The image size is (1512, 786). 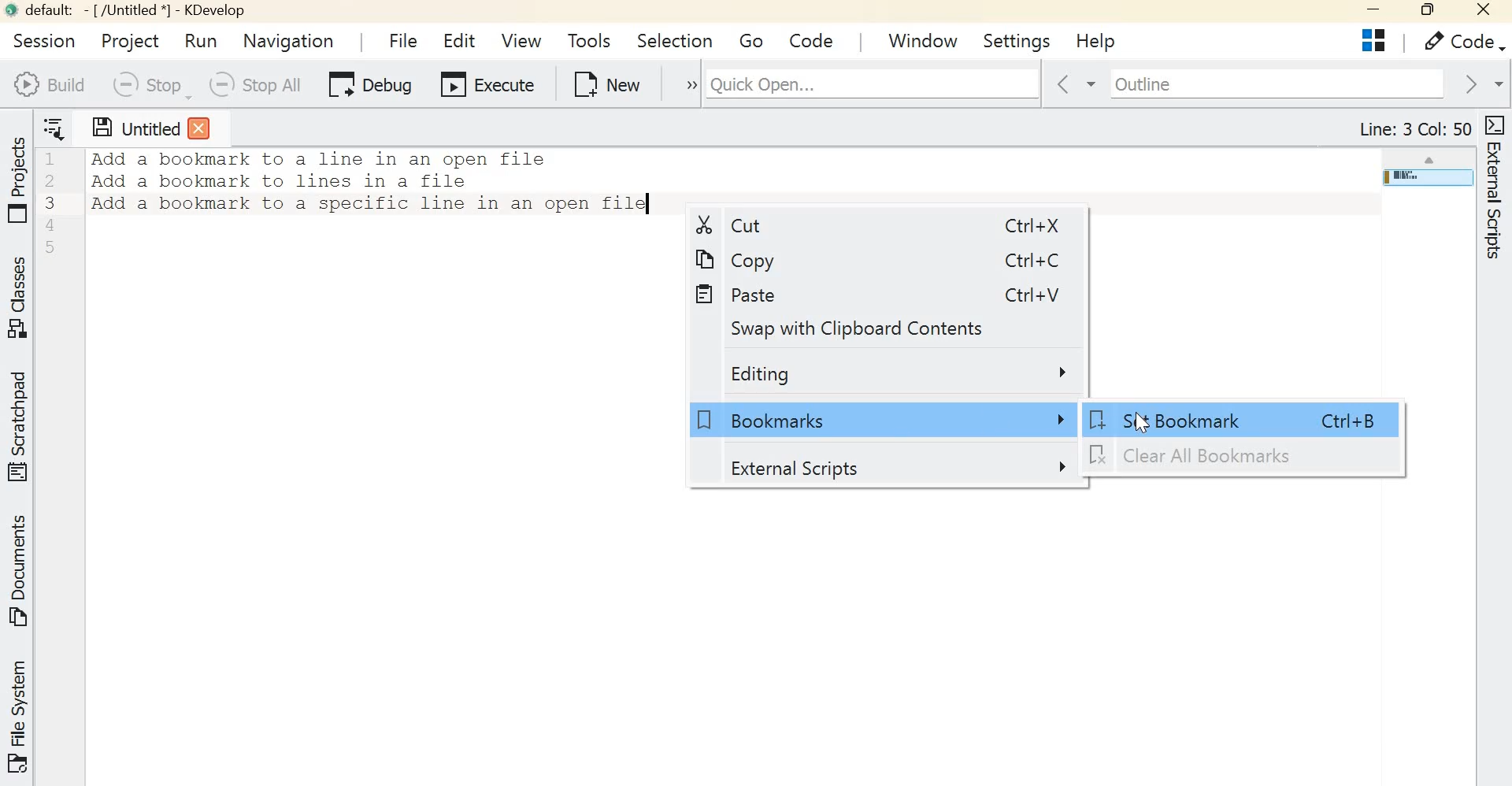 What do you see at coordinates (1034, 296) in the screenshot?
I see `Ctrl+V` at bounding box center [1034, 296].